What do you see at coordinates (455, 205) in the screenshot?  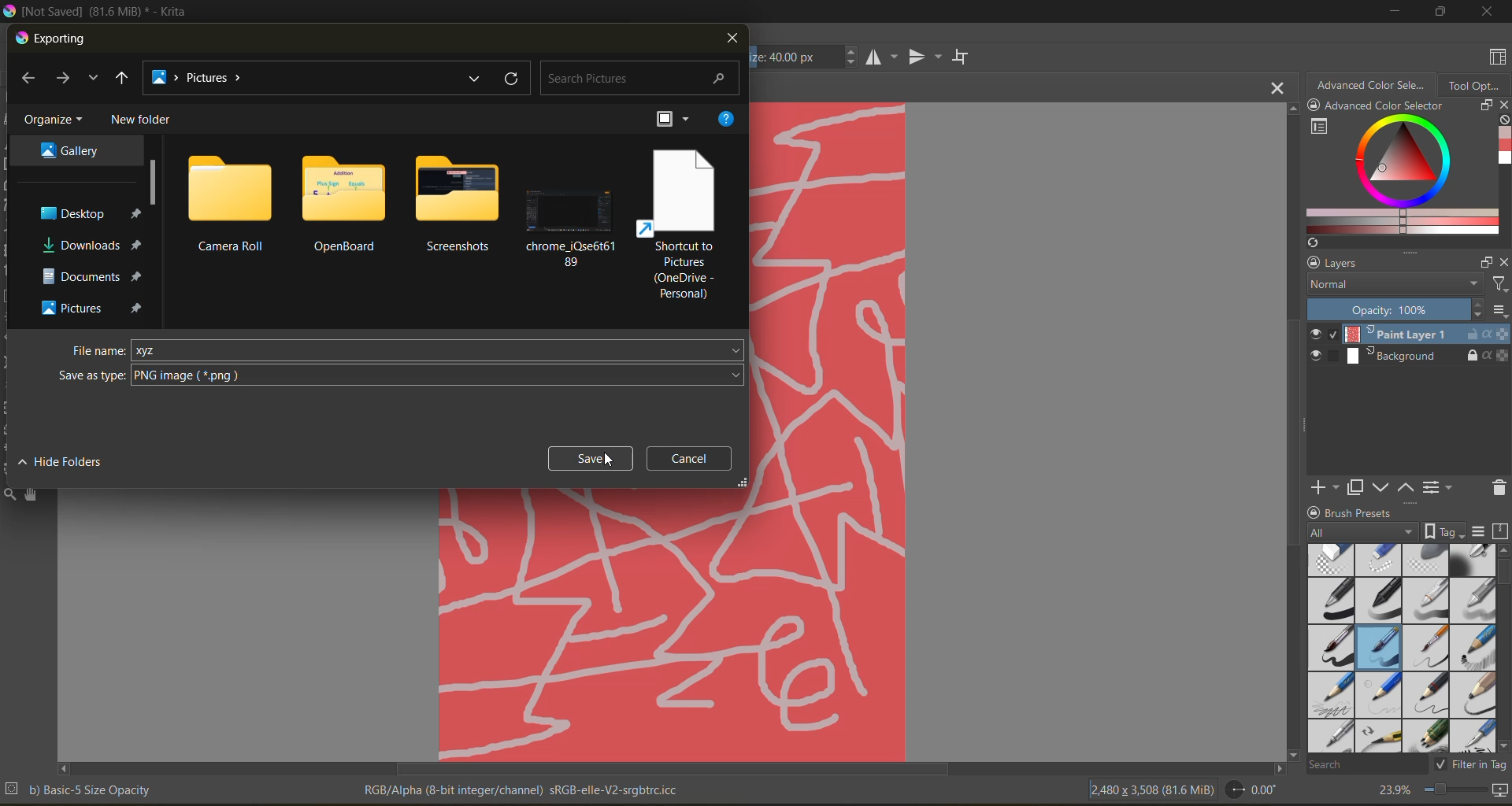 I see `folders` at bounding box center [455, 205].